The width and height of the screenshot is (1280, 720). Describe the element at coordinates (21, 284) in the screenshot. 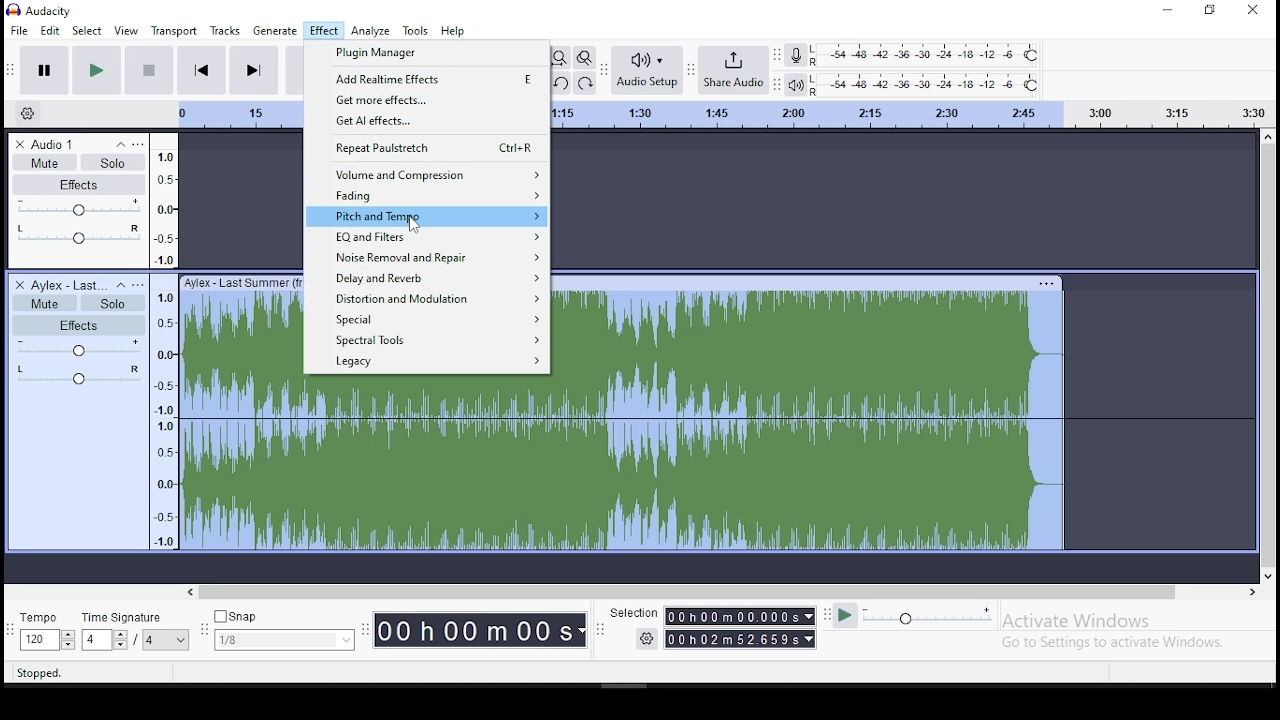

I see `delete track` at that location.